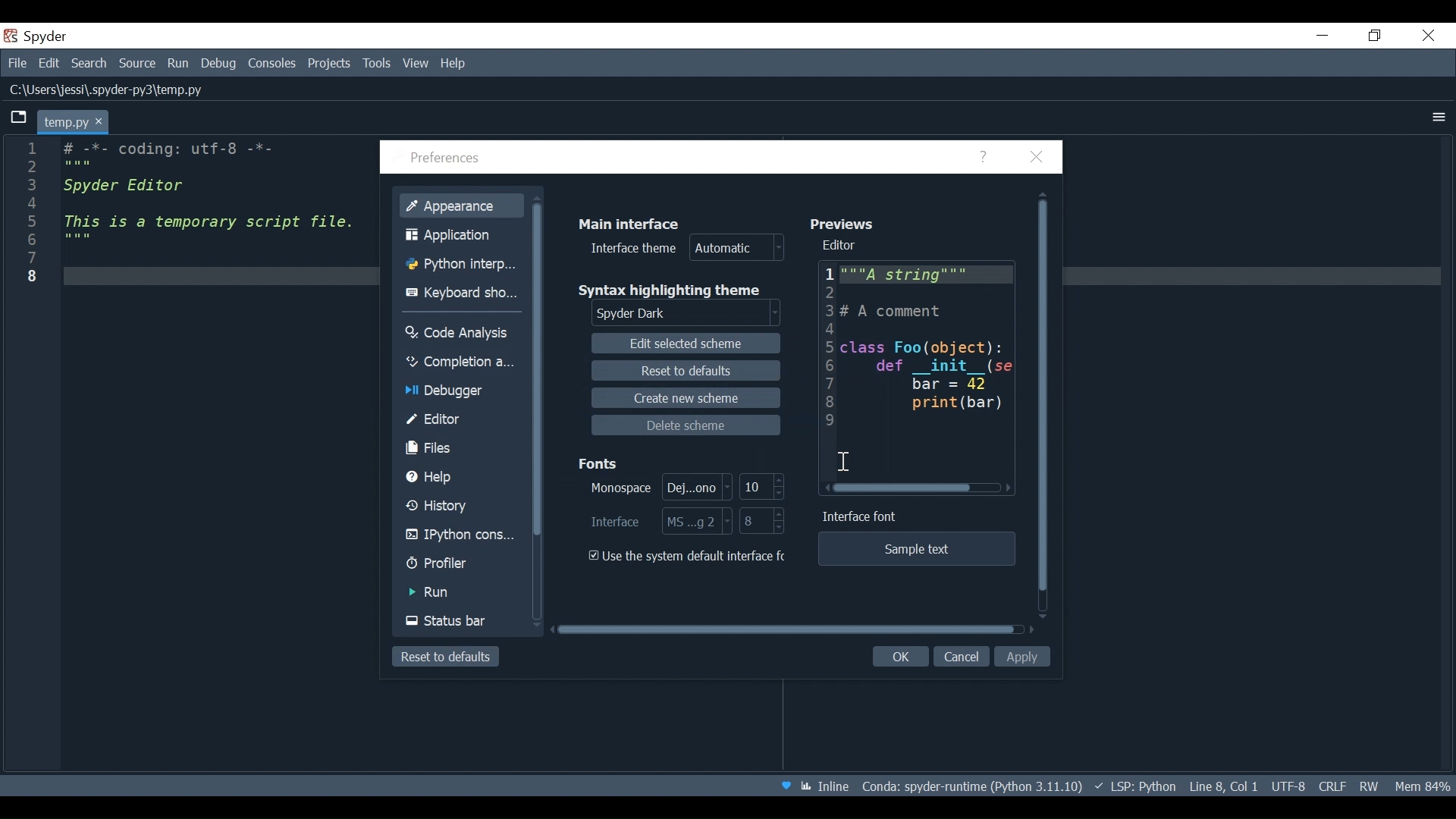  I want to click on Search, so click(89, 65).